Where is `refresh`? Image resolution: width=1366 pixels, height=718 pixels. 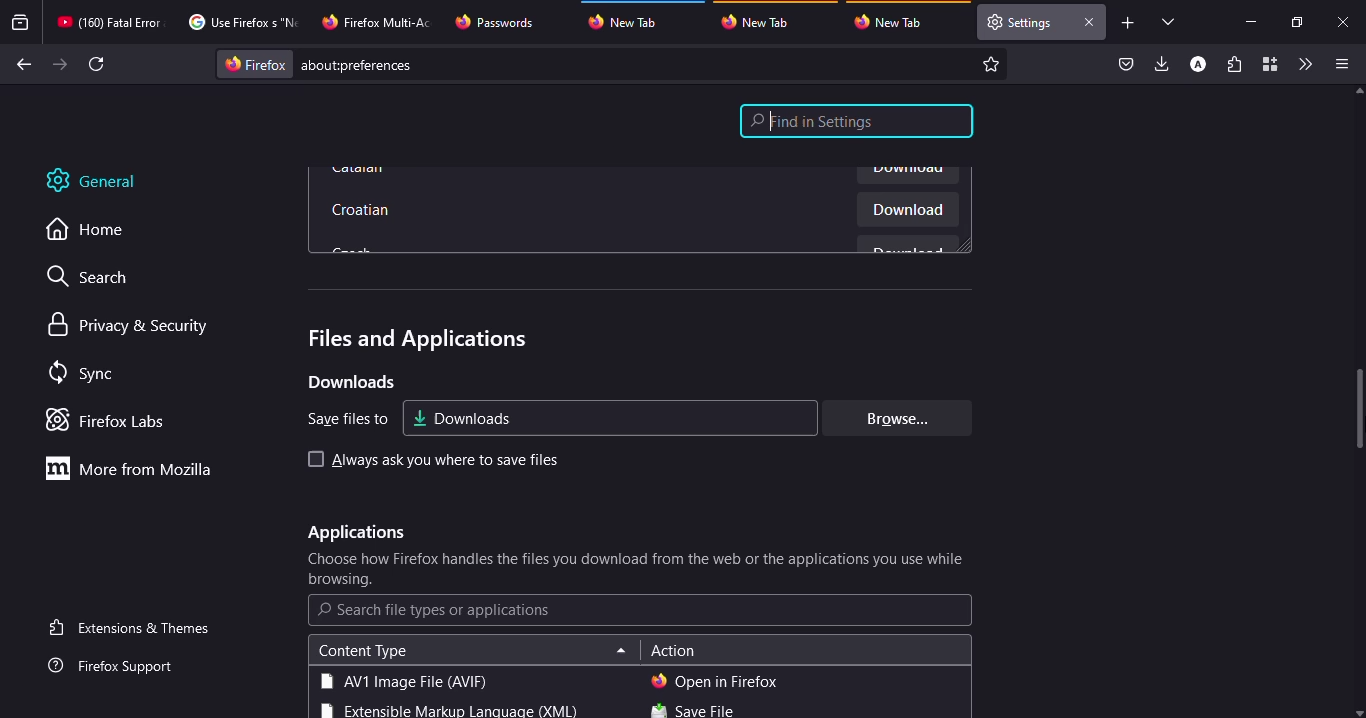
refresh is located at coordinates (98, 64).